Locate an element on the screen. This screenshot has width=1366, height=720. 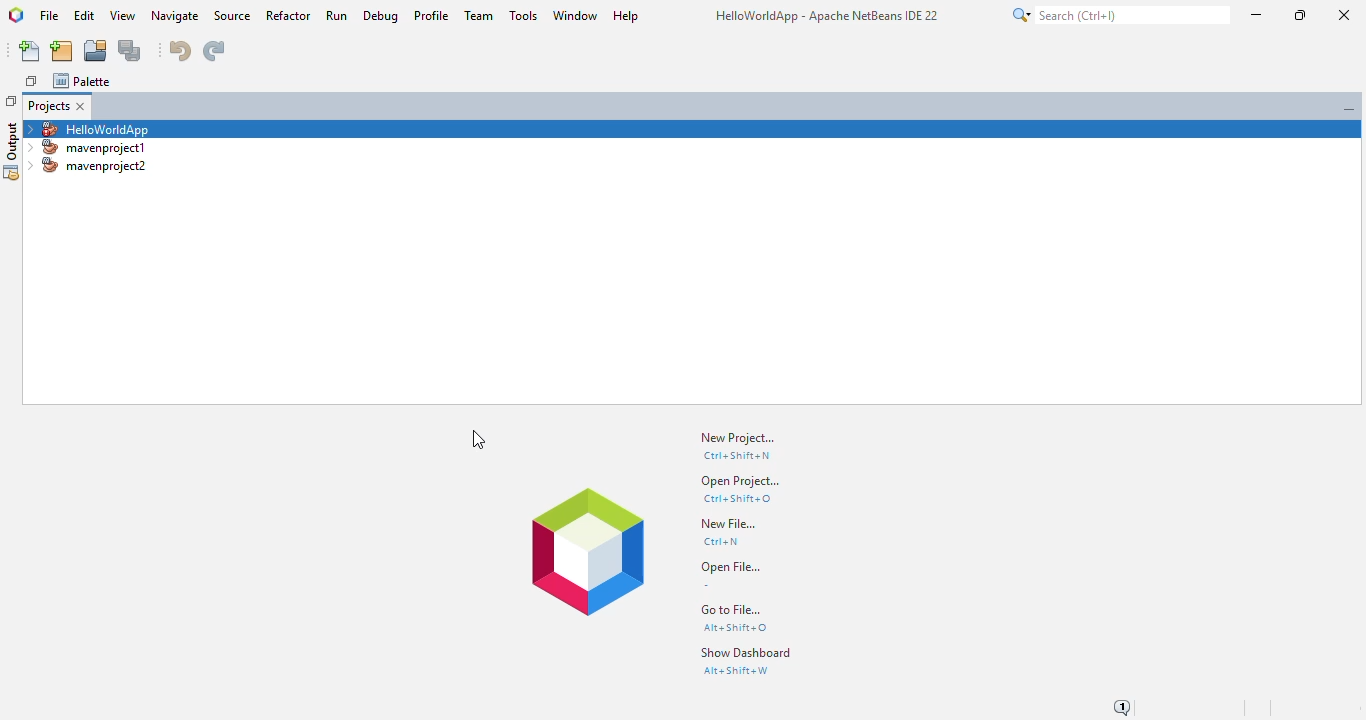
shortcut for new file is located at coordinates (722, 542).